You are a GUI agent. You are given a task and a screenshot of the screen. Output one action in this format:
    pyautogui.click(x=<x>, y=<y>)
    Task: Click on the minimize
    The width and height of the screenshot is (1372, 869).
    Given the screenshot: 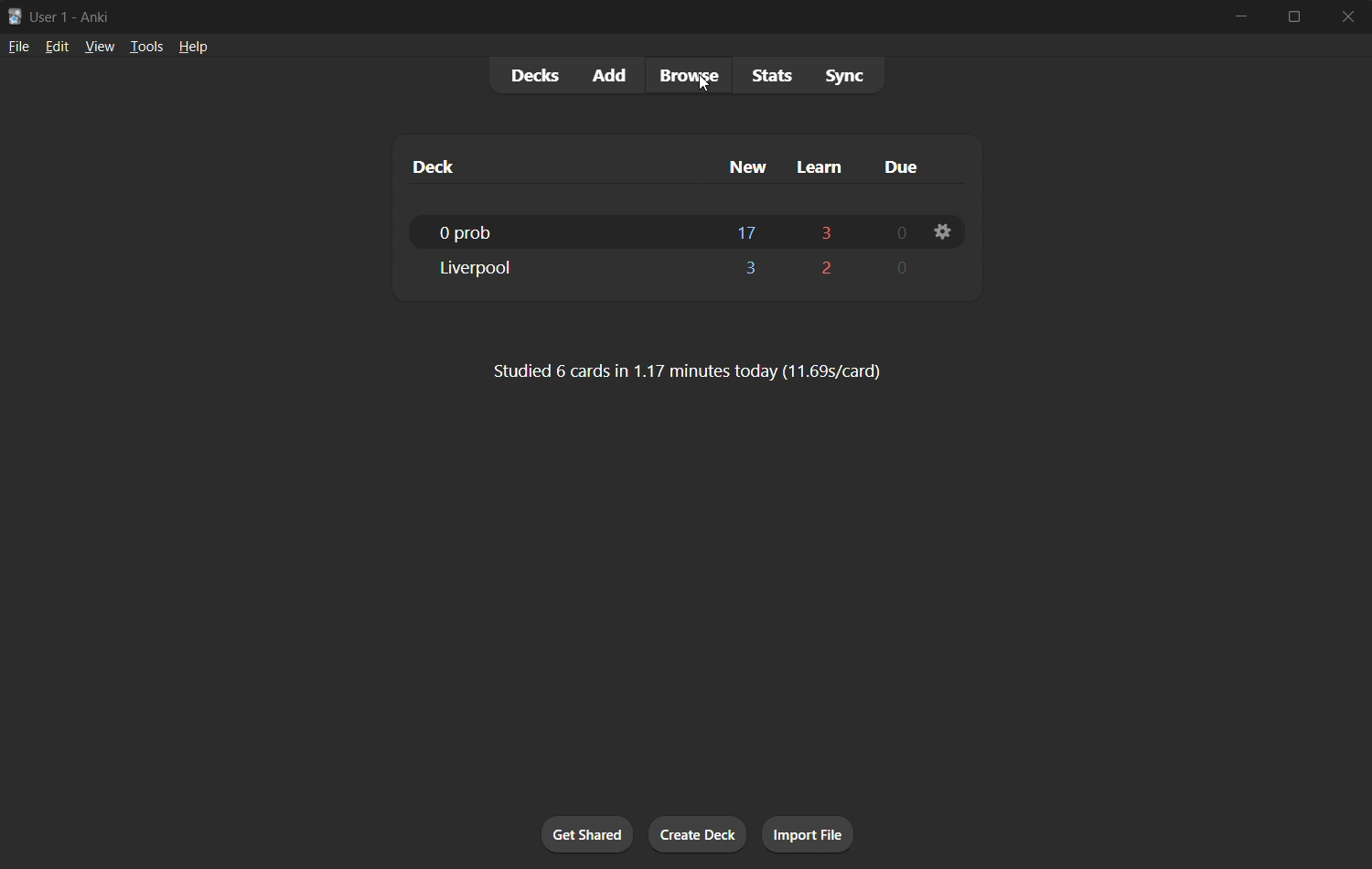 What is the action you would take?
    pyautogui.click(x=1246, y=16)
    